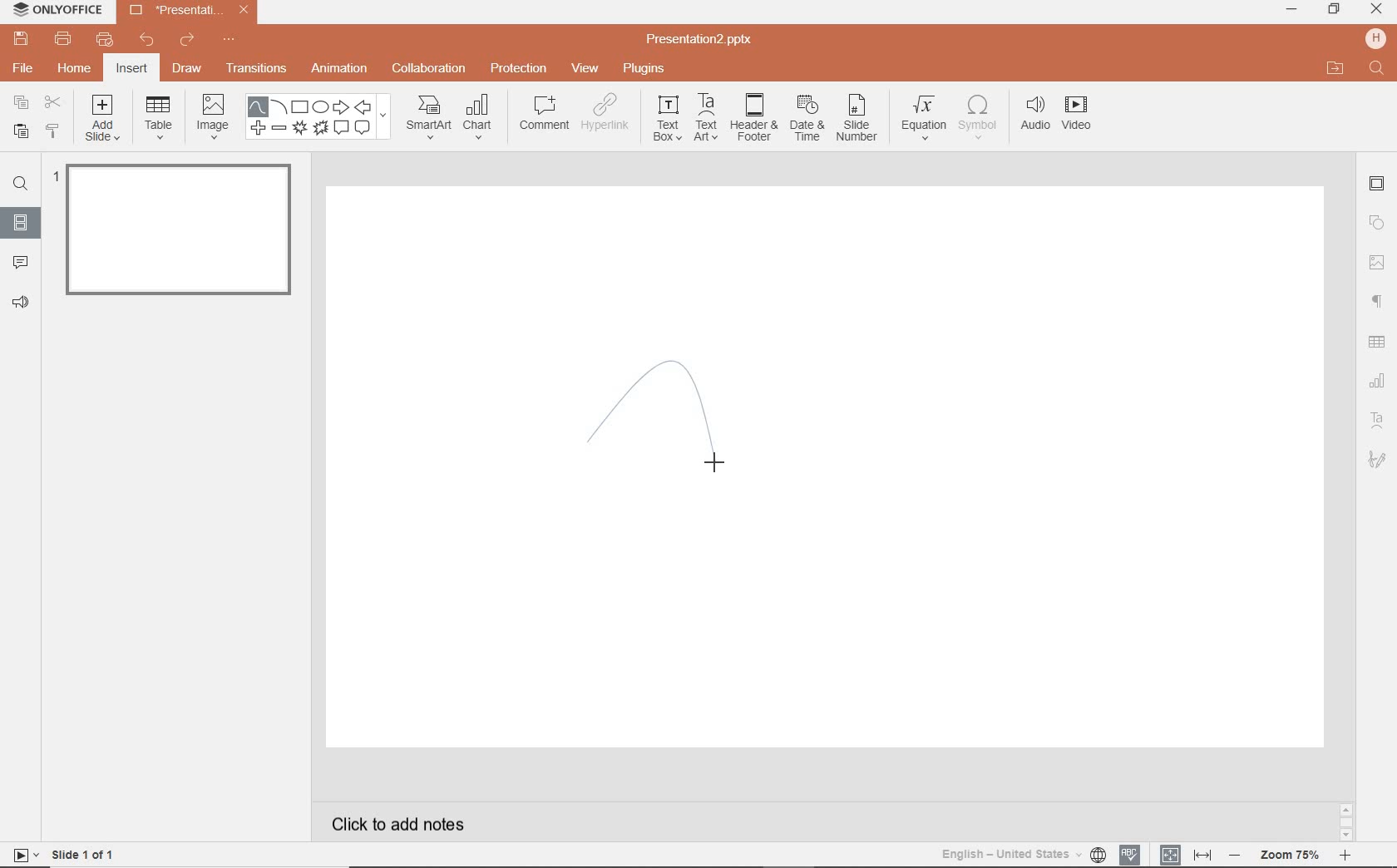  What do you see at coordinates (188, 70) in the screenshot?
I see `DRAW` at bounding box center [188, 70].